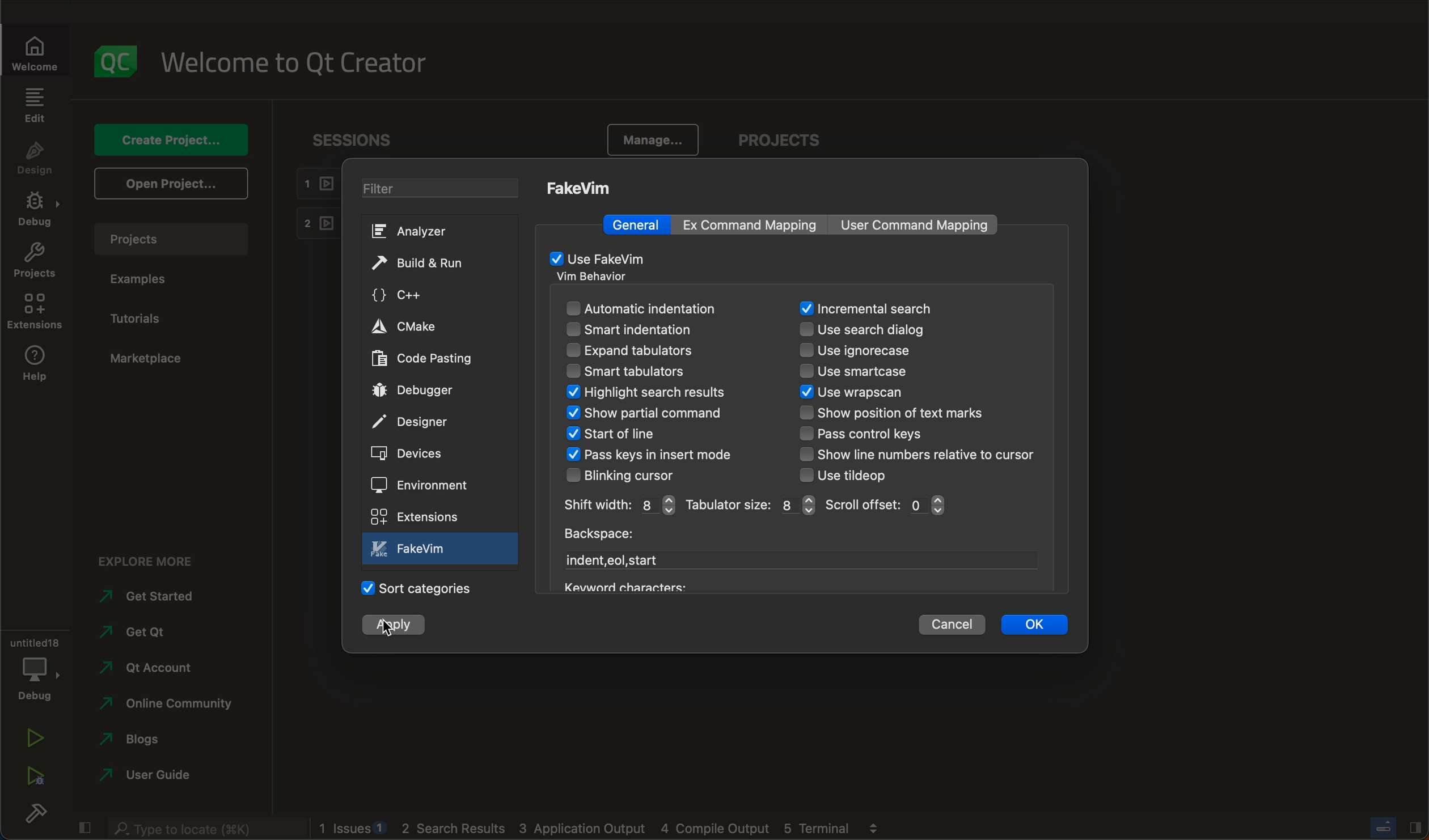  What do you see at coordinates (873, 435) in the screenshot?
I see `control keys` at bounding box center [873, 435].